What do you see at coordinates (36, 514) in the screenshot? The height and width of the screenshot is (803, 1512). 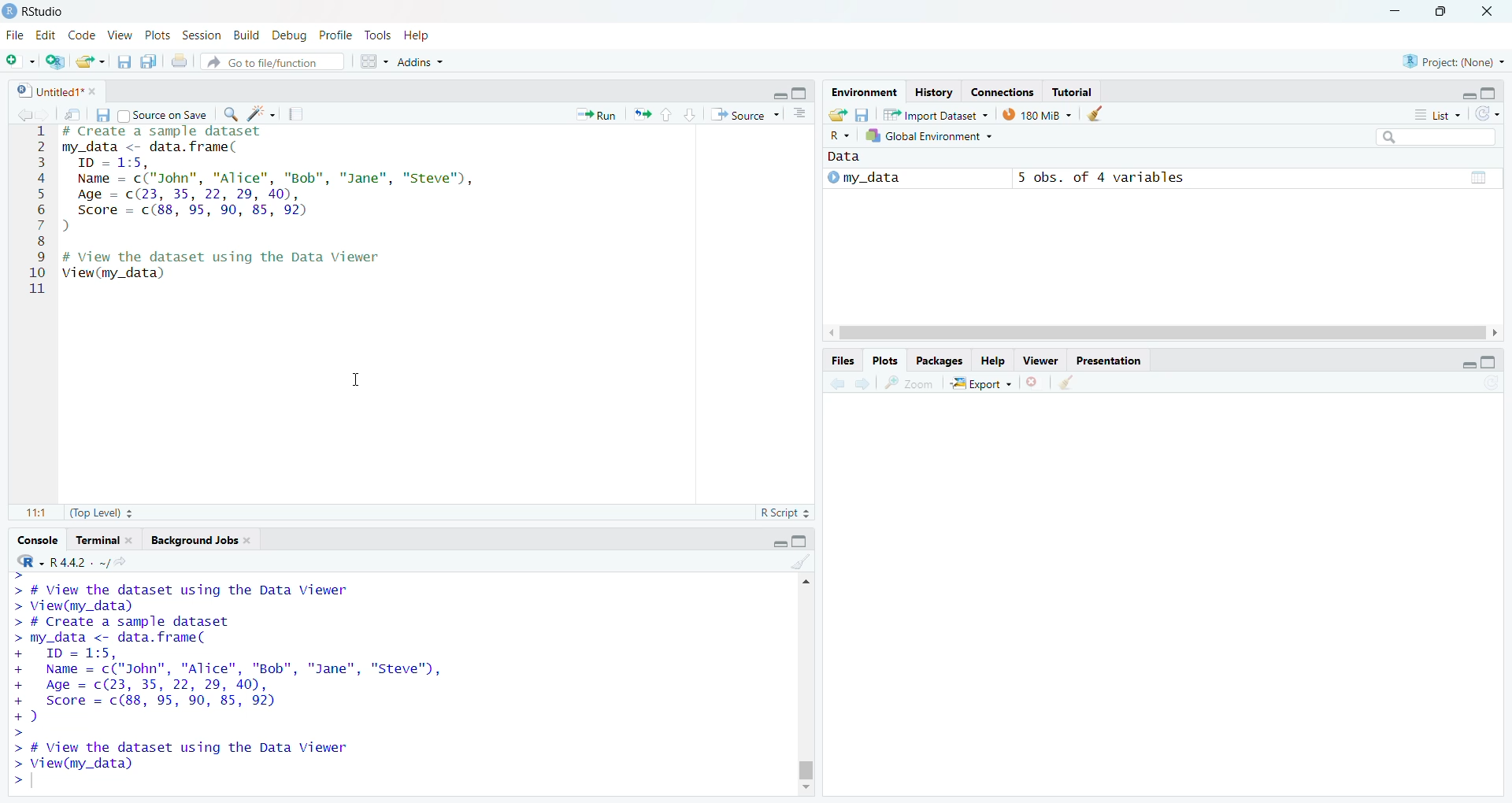 I see `1:1` at bounding box center [36, 514].